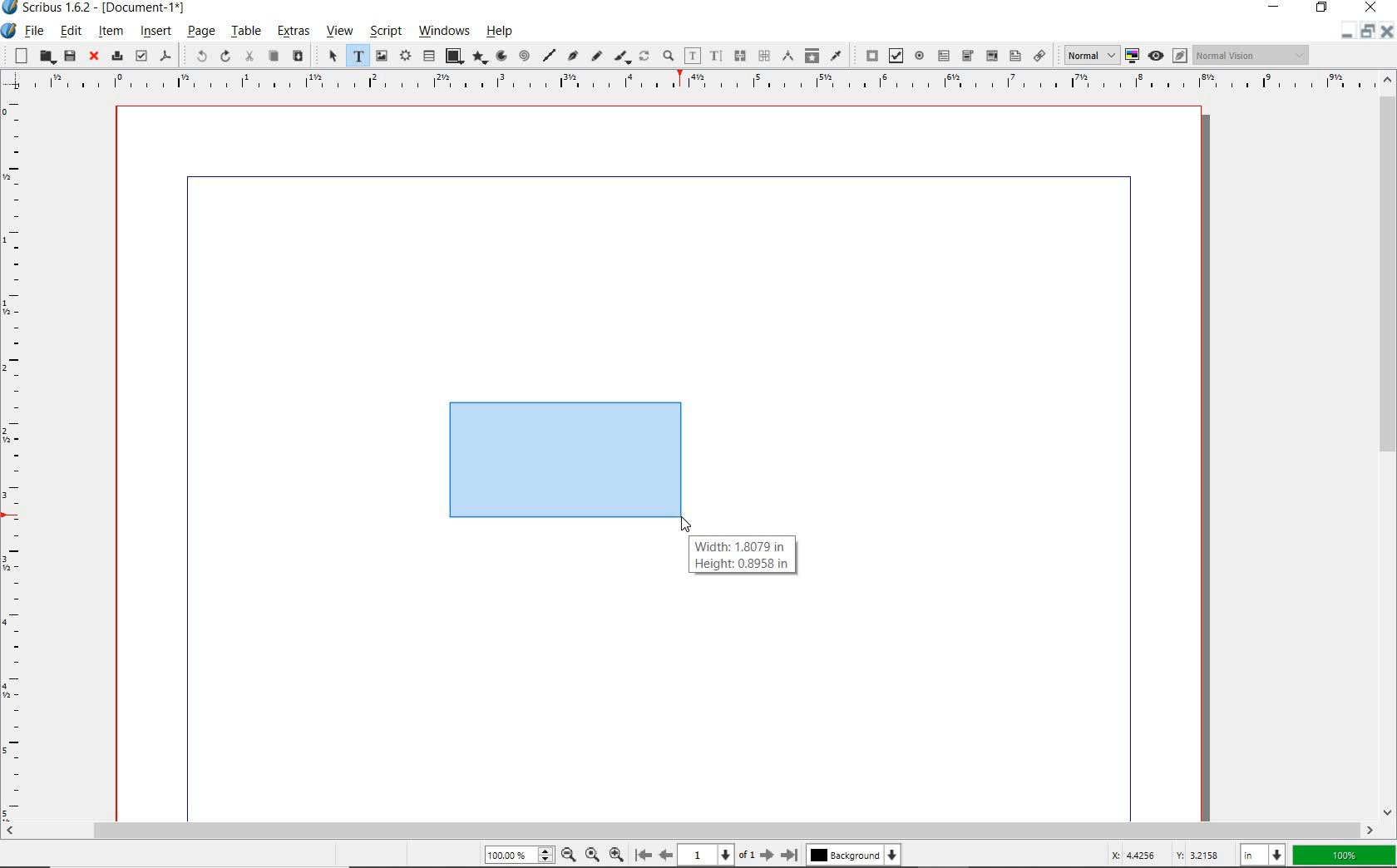 Image resolution: width=1397 pixels, height=868 pixels. What do you see at coordinates (1386, 32) in the screenshot?
I see `Close` at bounding box center [1386, 32].